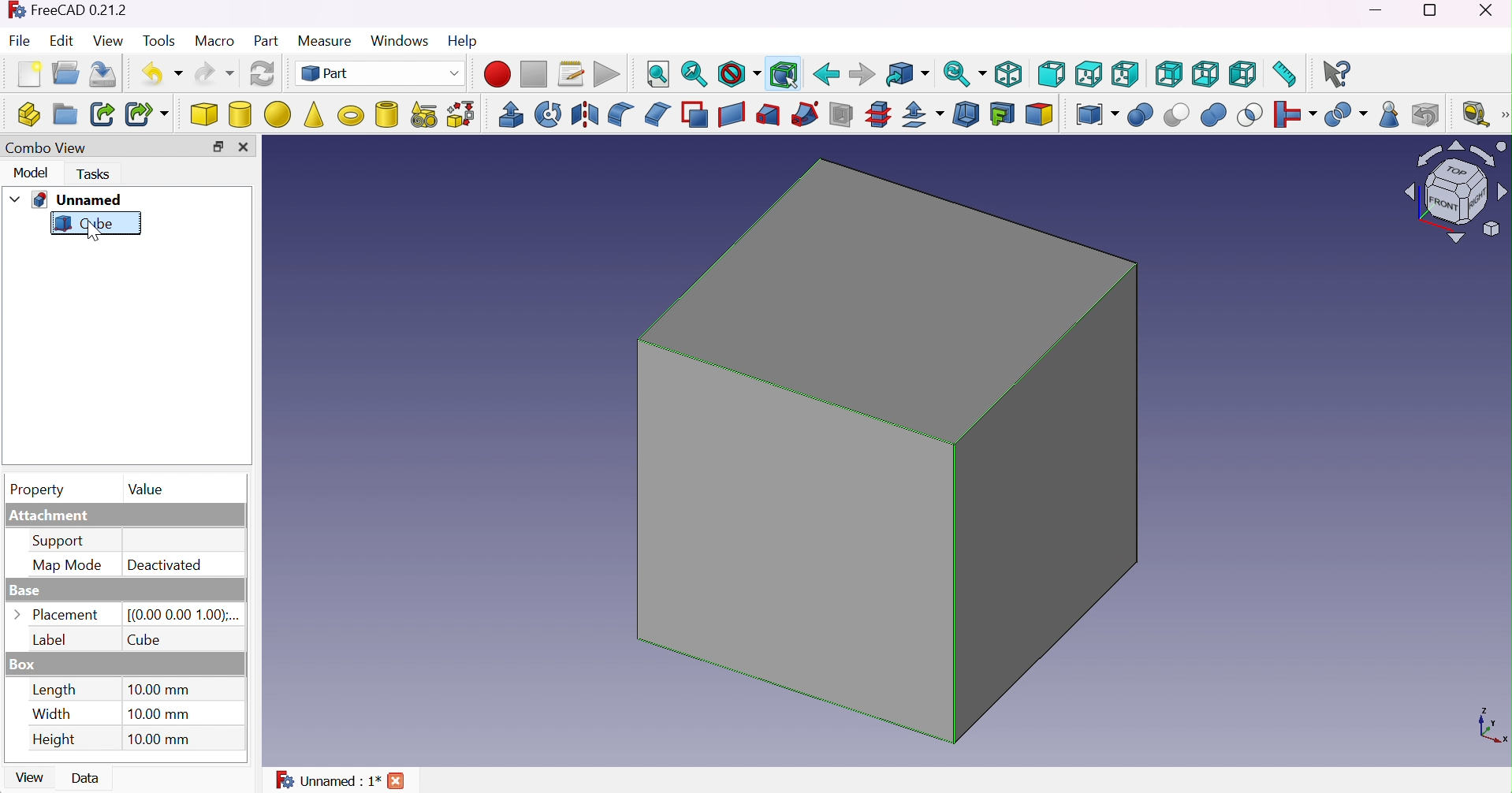 This screenshot has height=793, width=1512. I want to click on Create part, so click(23, 114).